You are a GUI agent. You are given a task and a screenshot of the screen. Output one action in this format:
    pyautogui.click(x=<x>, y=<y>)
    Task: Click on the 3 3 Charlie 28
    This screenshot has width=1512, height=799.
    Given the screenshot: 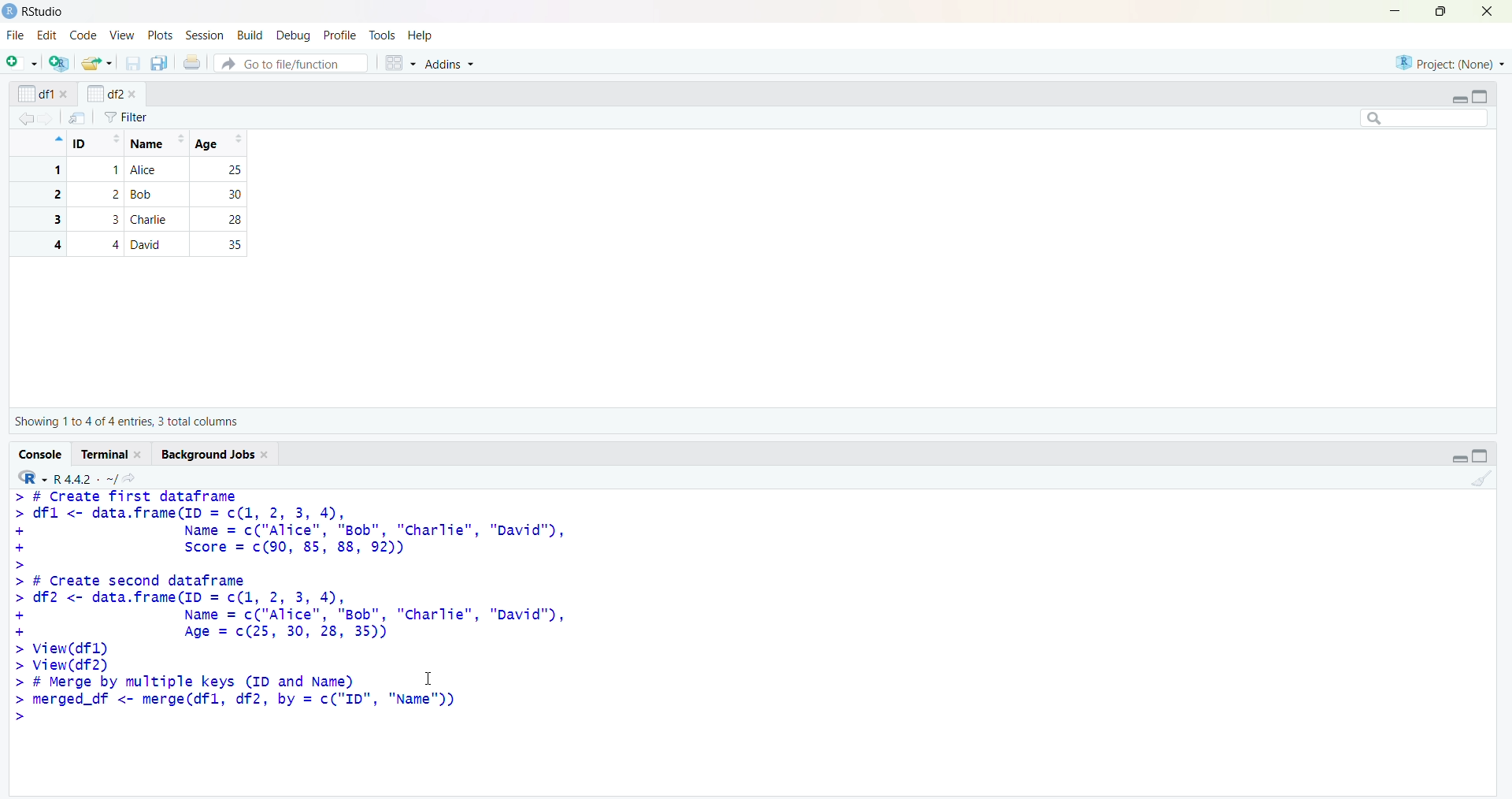 What is the action you would take?
    pyautogui.click(x=135, y=219)
    